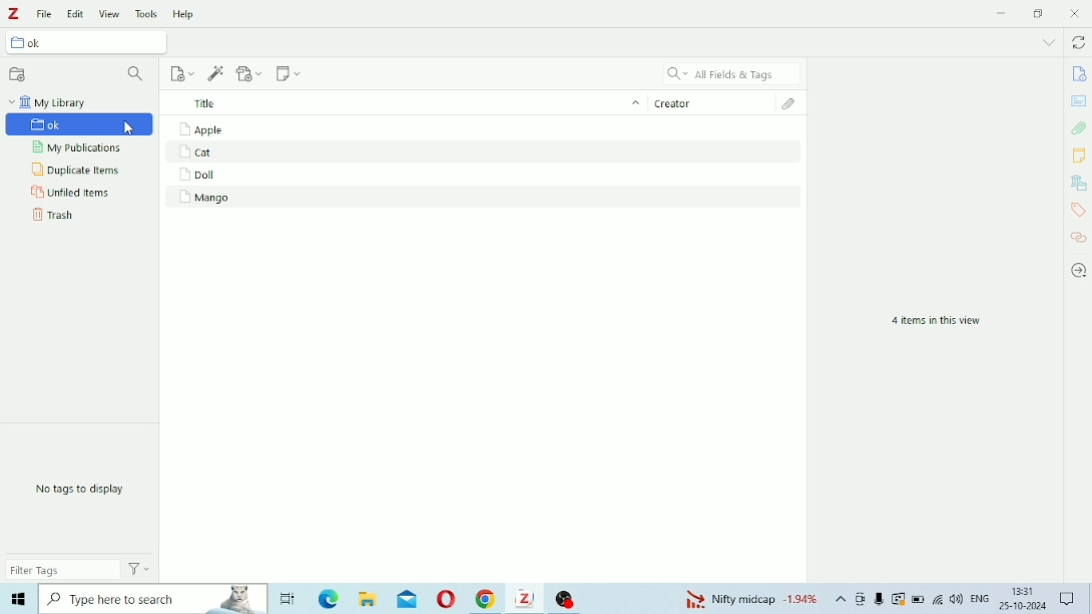  Describe the element at coordinates (841, 599) in the screenshot. I see `Show hidden icons` at that location.